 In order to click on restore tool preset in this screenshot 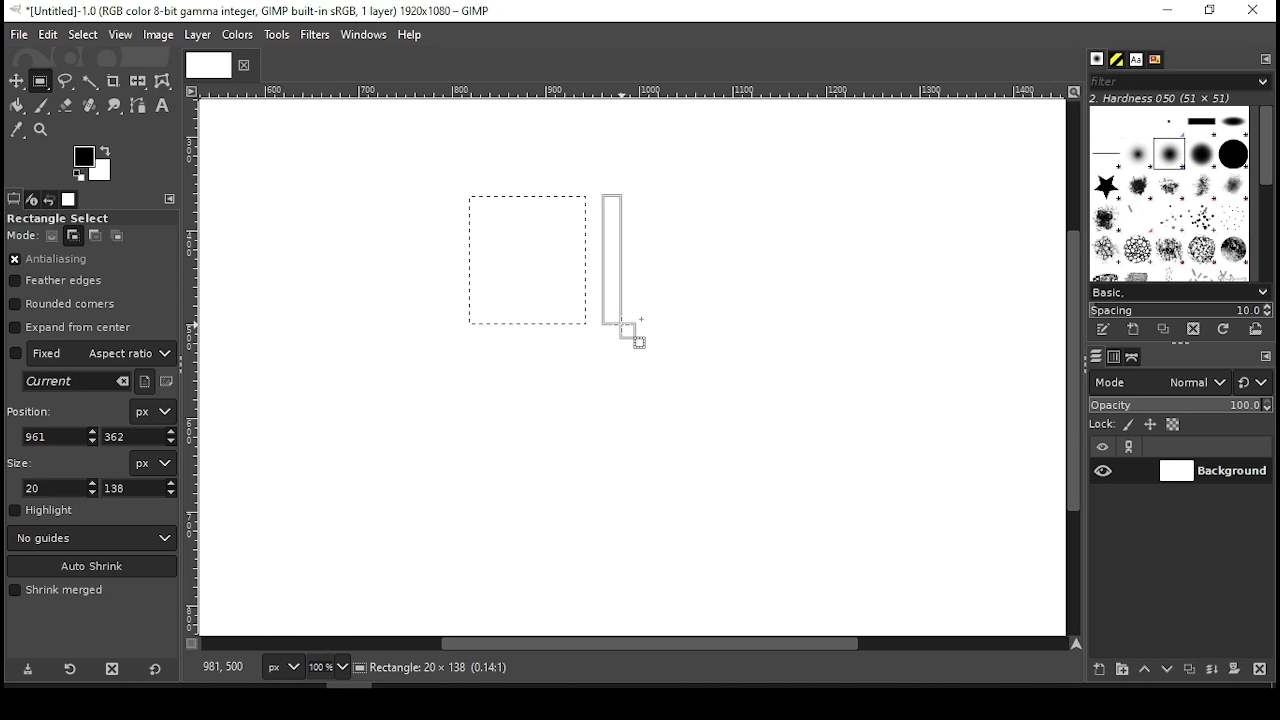, I will do `click(72, 667)`.